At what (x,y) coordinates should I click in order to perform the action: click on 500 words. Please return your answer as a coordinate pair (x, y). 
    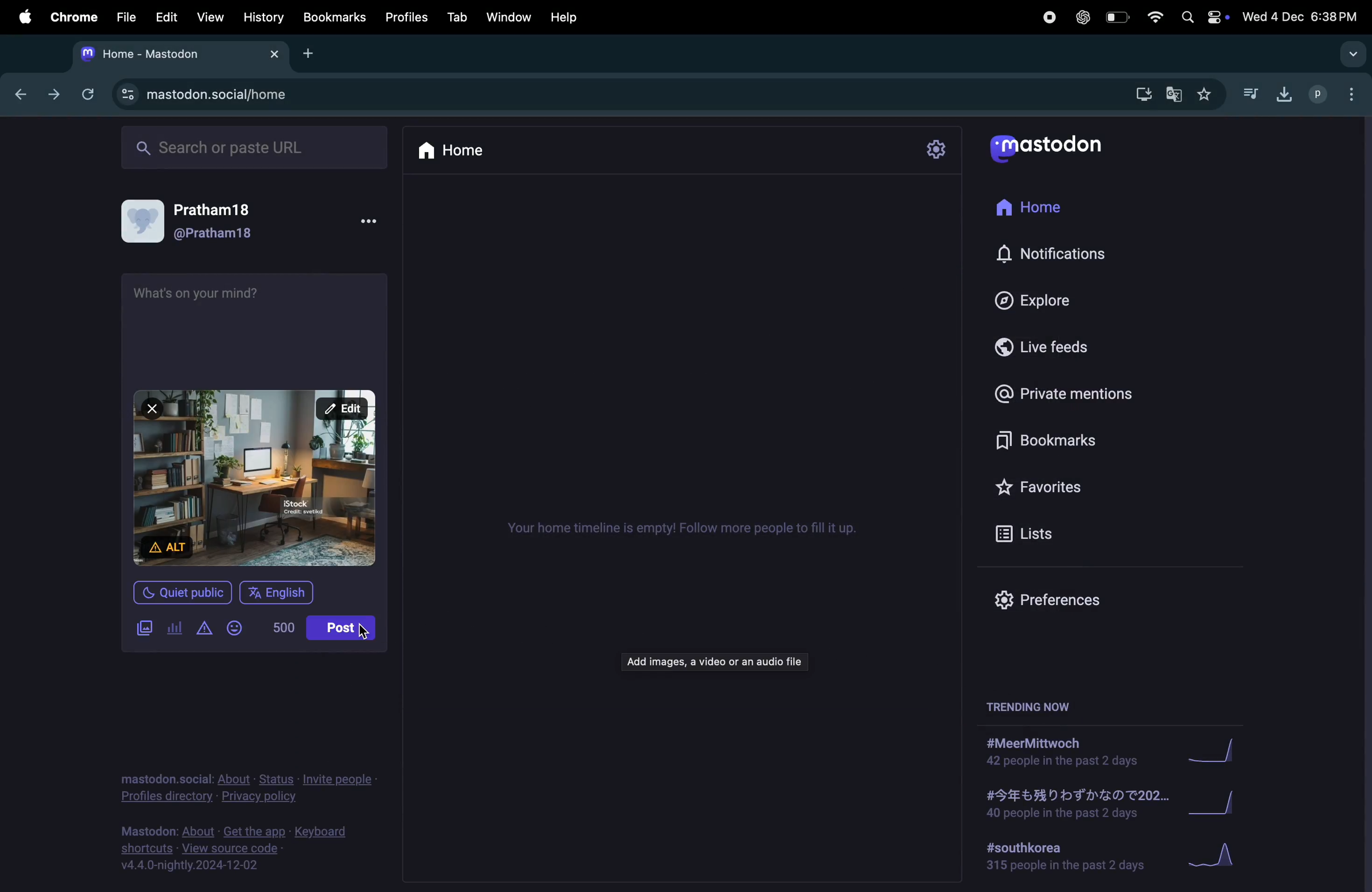
    Looking at the image, I should click on (279, 626).